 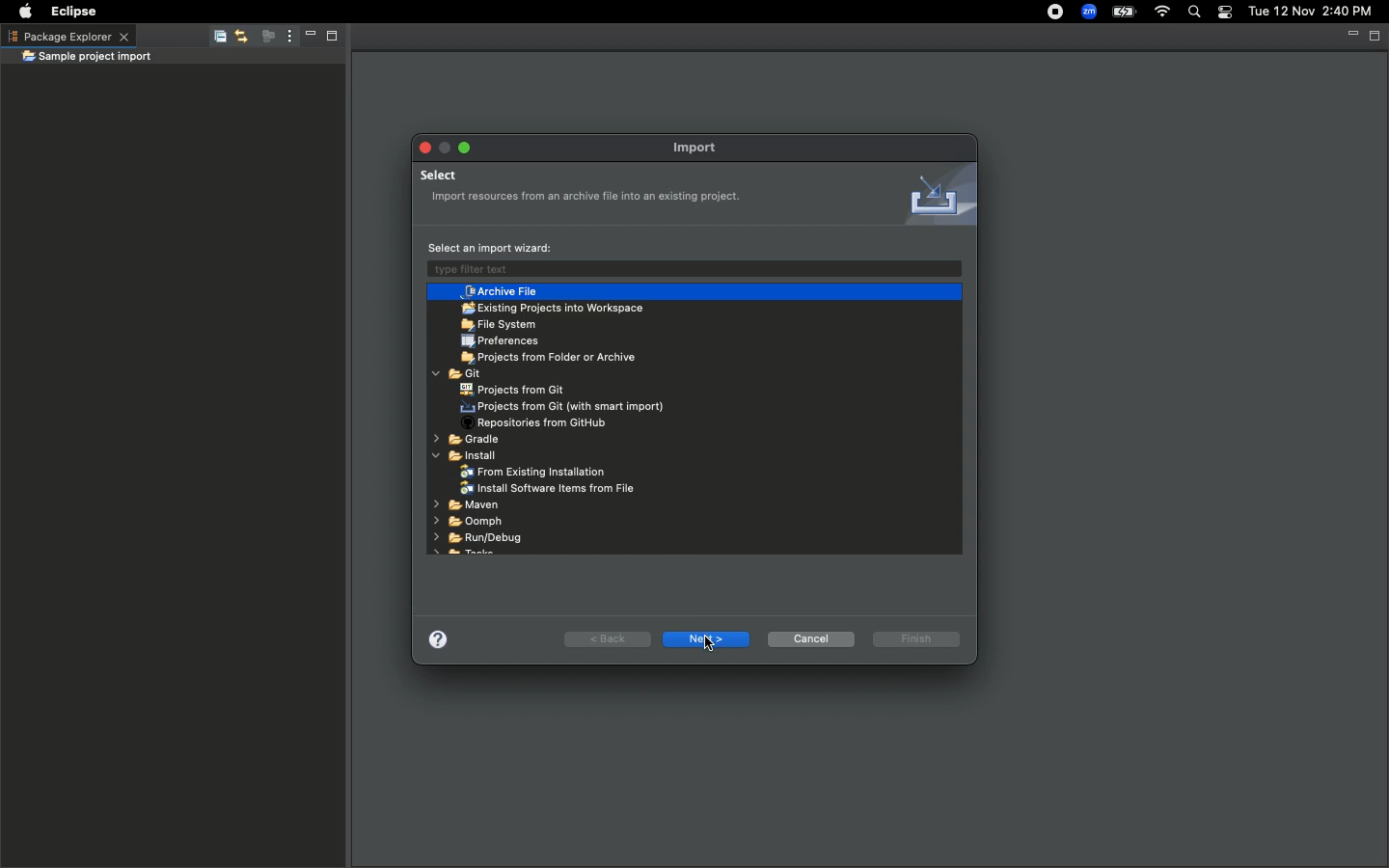 What do you see at coordinates (262, 38) in the screenshot?
I see `Focus on active task` at bounding box center [262, 38].